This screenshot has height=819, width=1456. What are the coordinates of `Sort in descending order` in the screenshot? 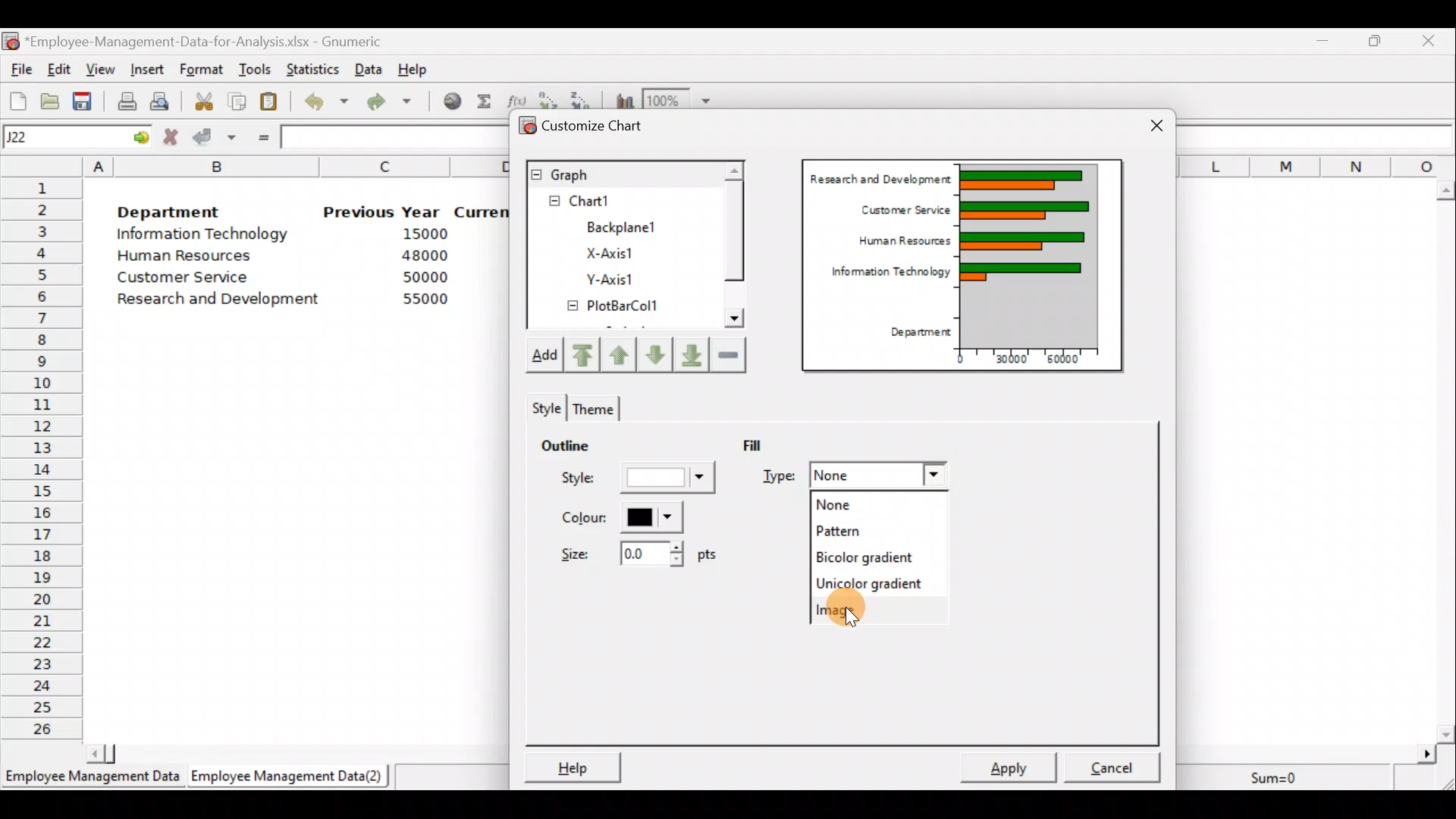 It's located at (583, 98).